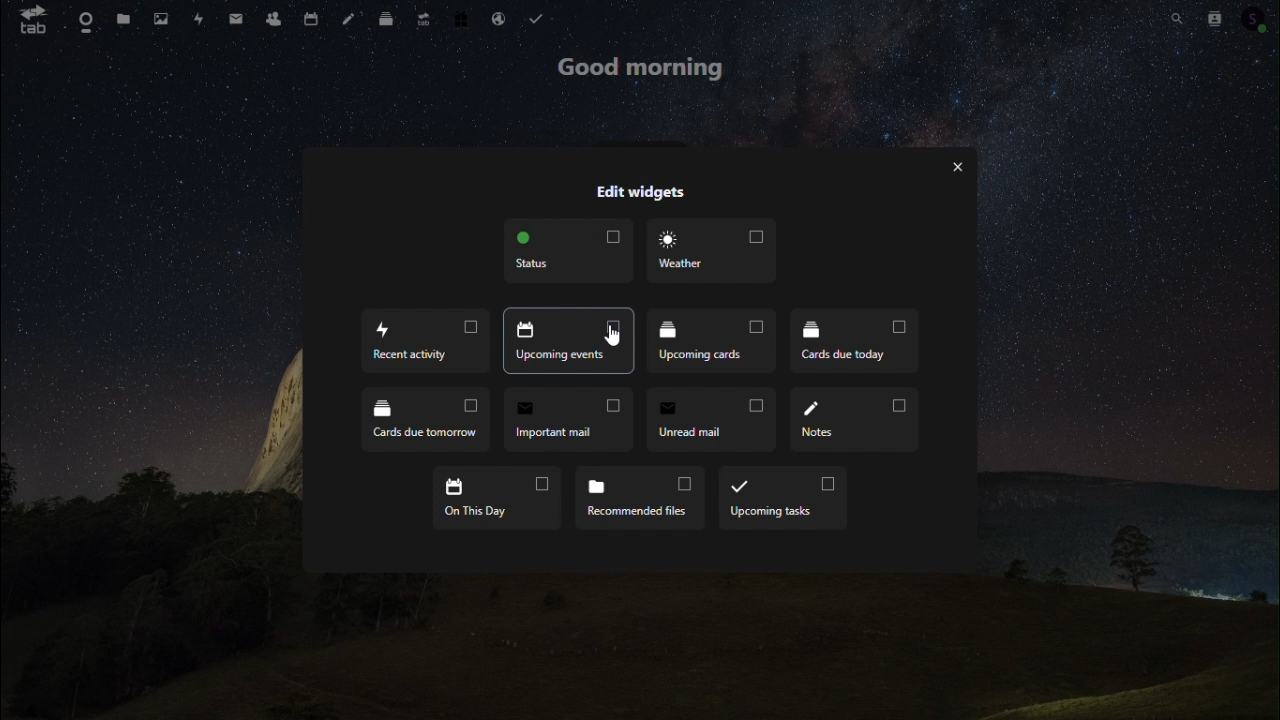 Image resolution: width=1280 pixels, height=720 pixels. Describe the element at coordinates (240, 16) in the screenshot. I see `mail` at that location.